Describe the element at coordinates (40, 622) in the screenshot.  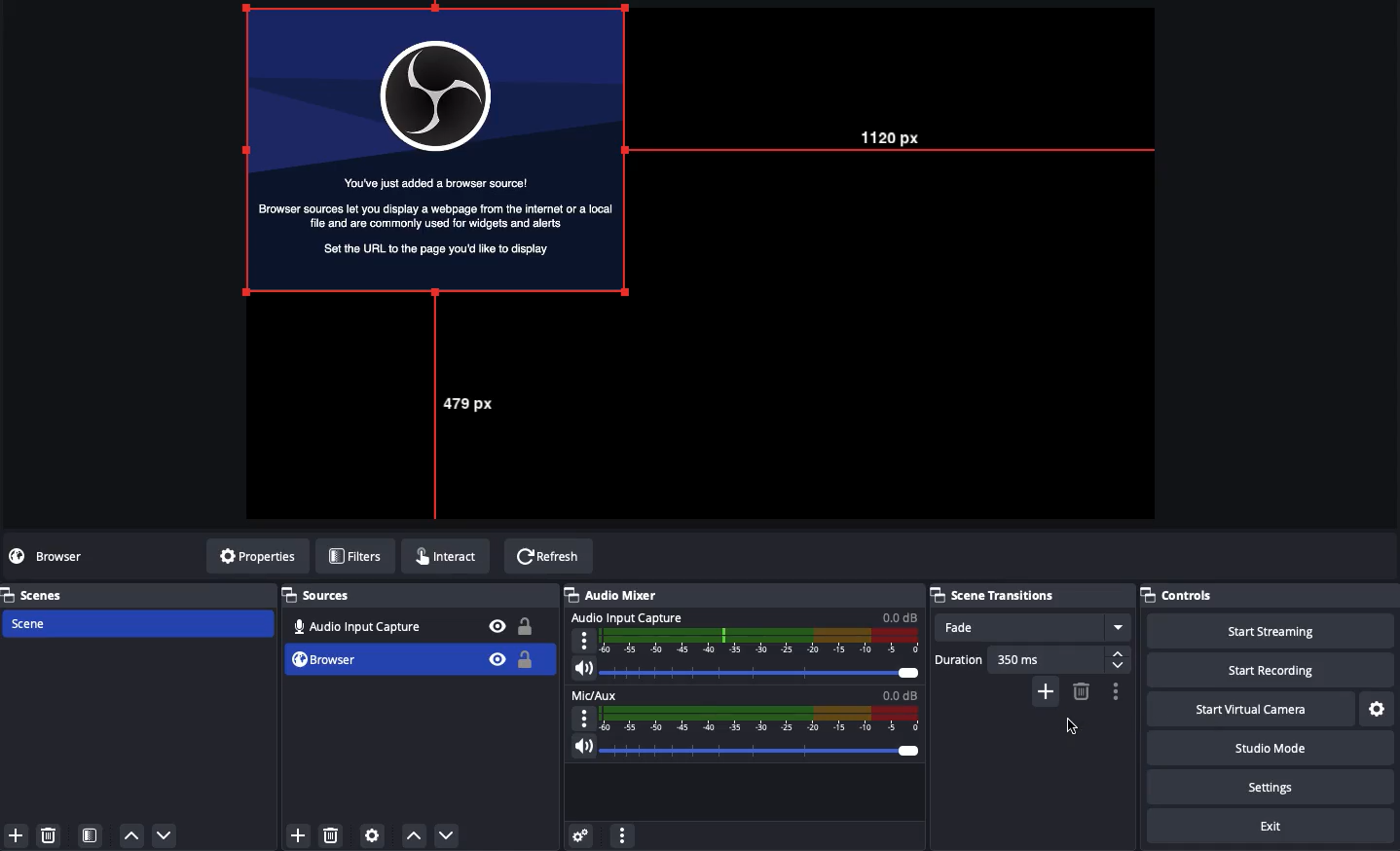
I see `Scene` at that location.